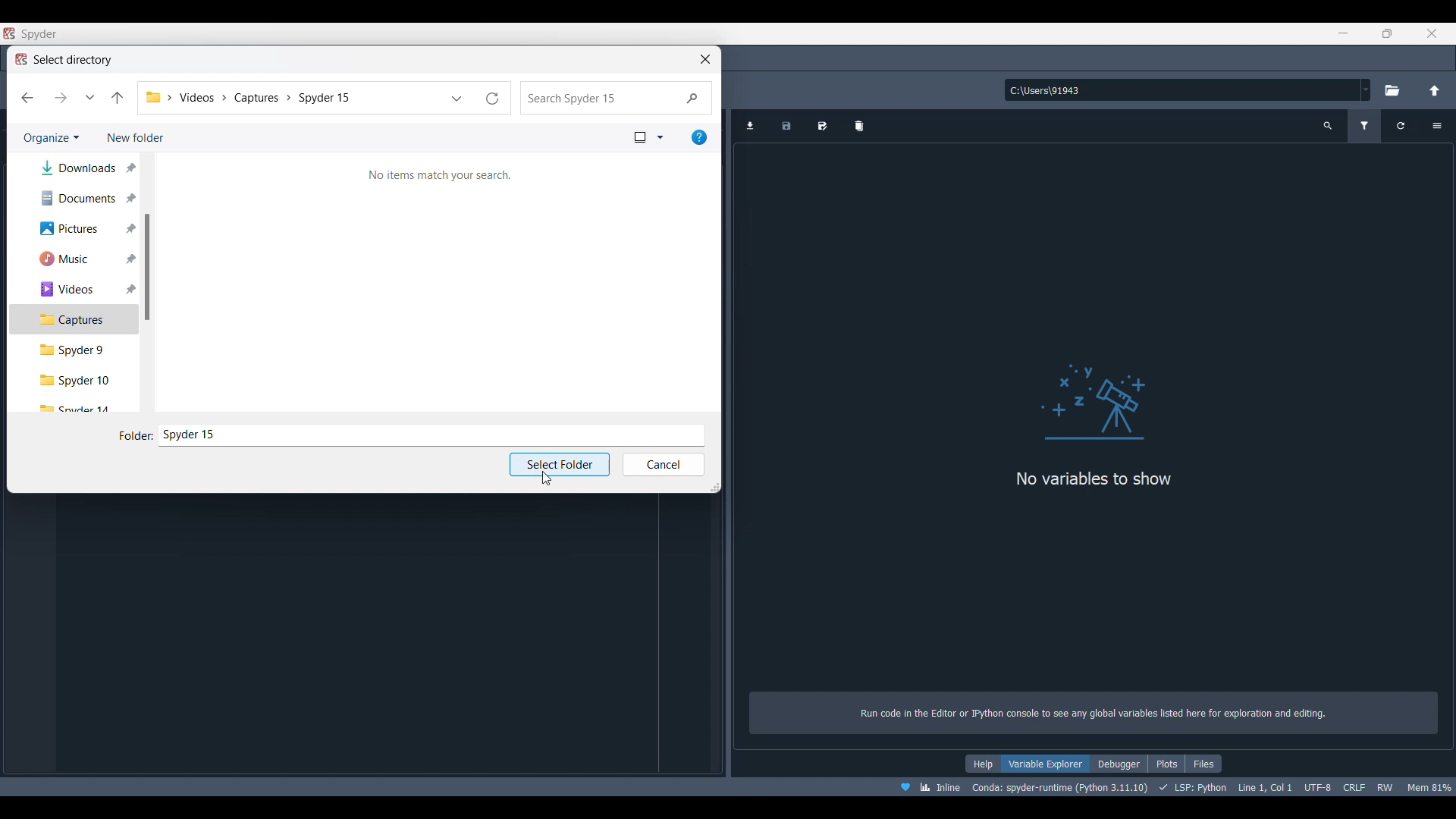 The width and height of the screenshot is (1456, 819). Describe the element at coordinates (491, 98) in the screenshot. I see `Reload` at that location.